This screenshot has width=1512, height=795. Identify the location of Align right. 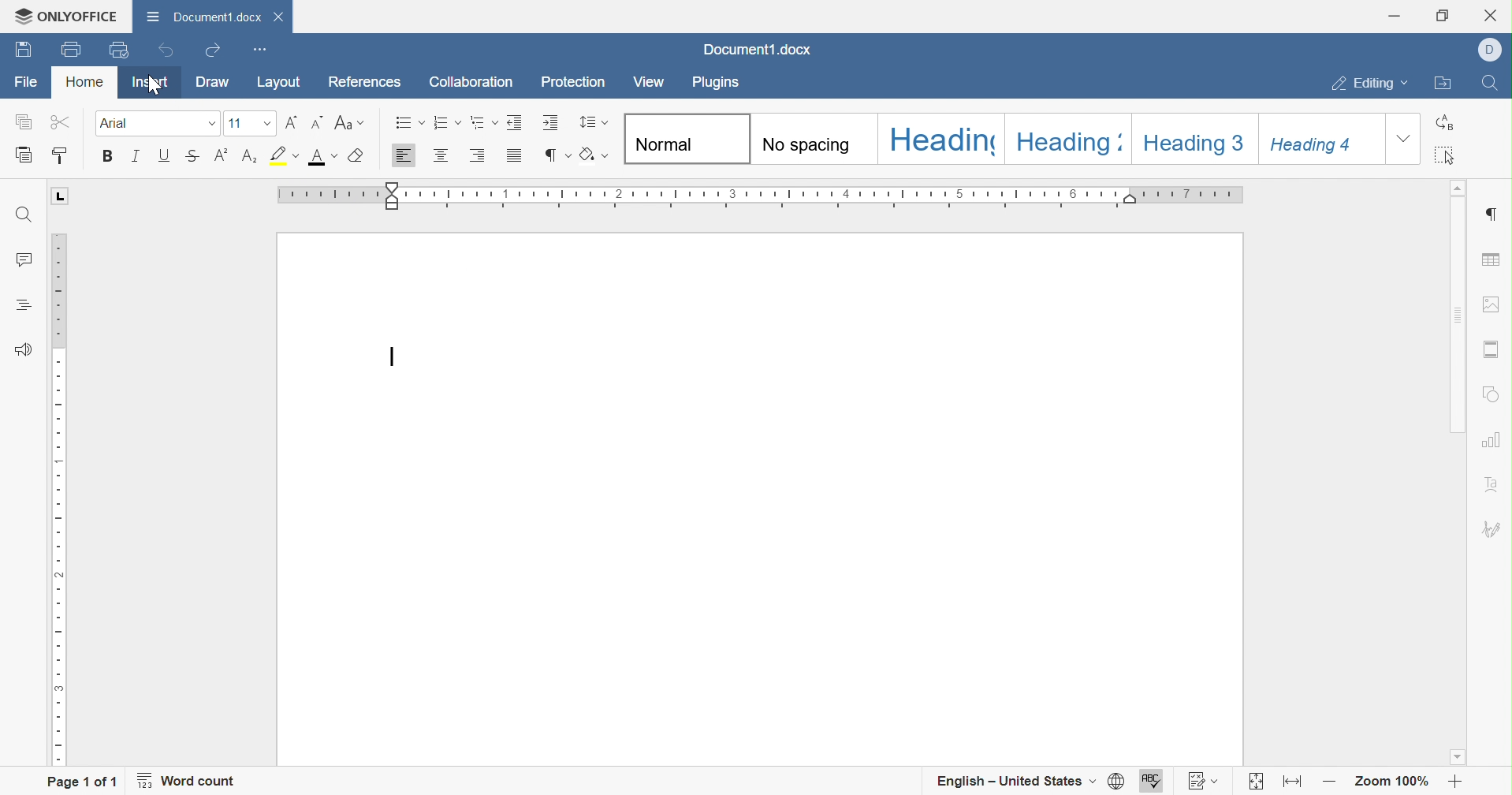
(479, 155).